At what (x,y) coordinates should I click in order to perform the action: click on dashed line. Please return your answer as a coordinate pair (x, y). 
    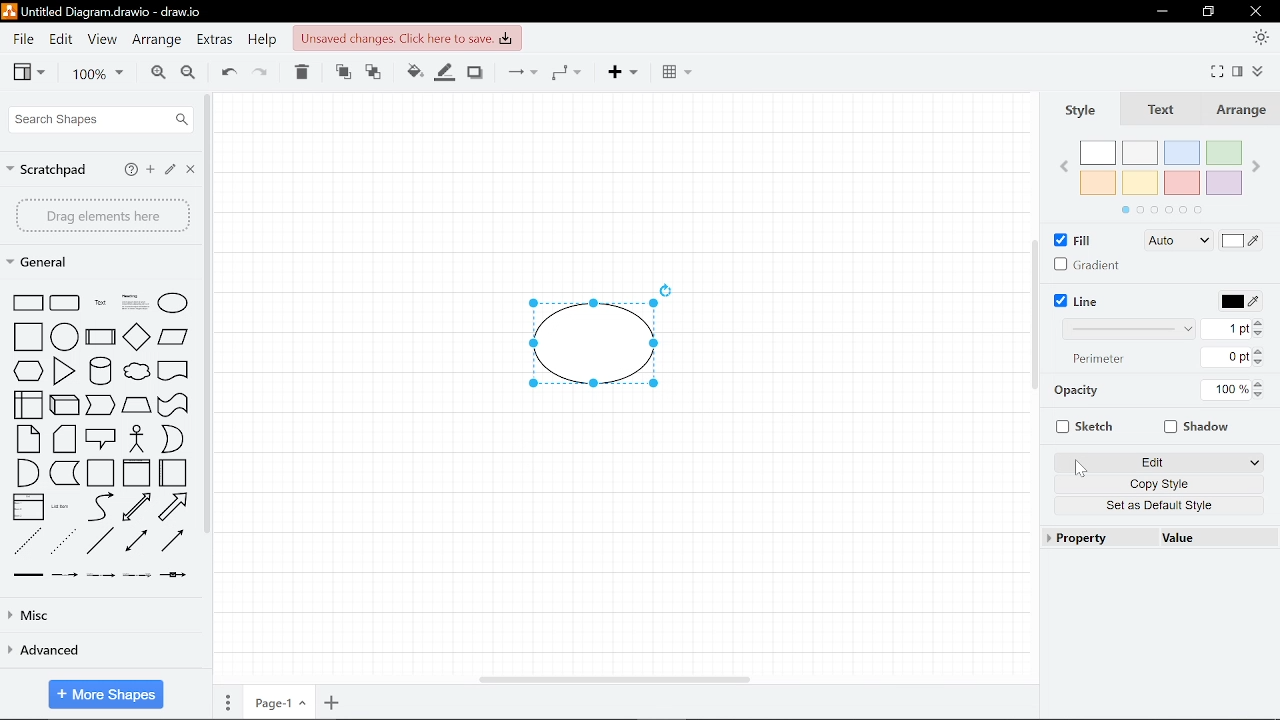
    Looking at the image, I should click on (27, 539).